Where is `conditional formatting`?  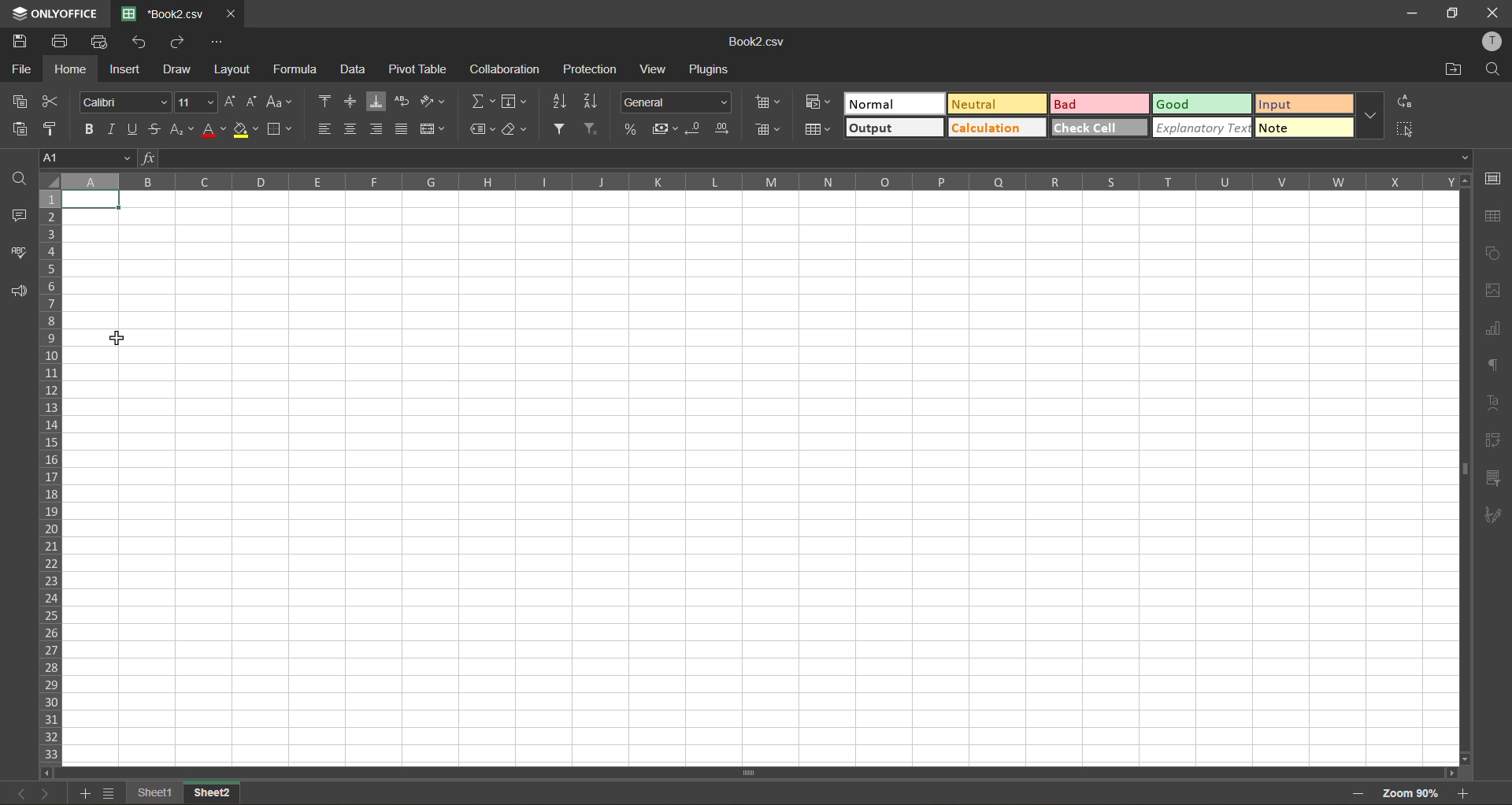 conditional formatting is located at coordinates (814, 105).